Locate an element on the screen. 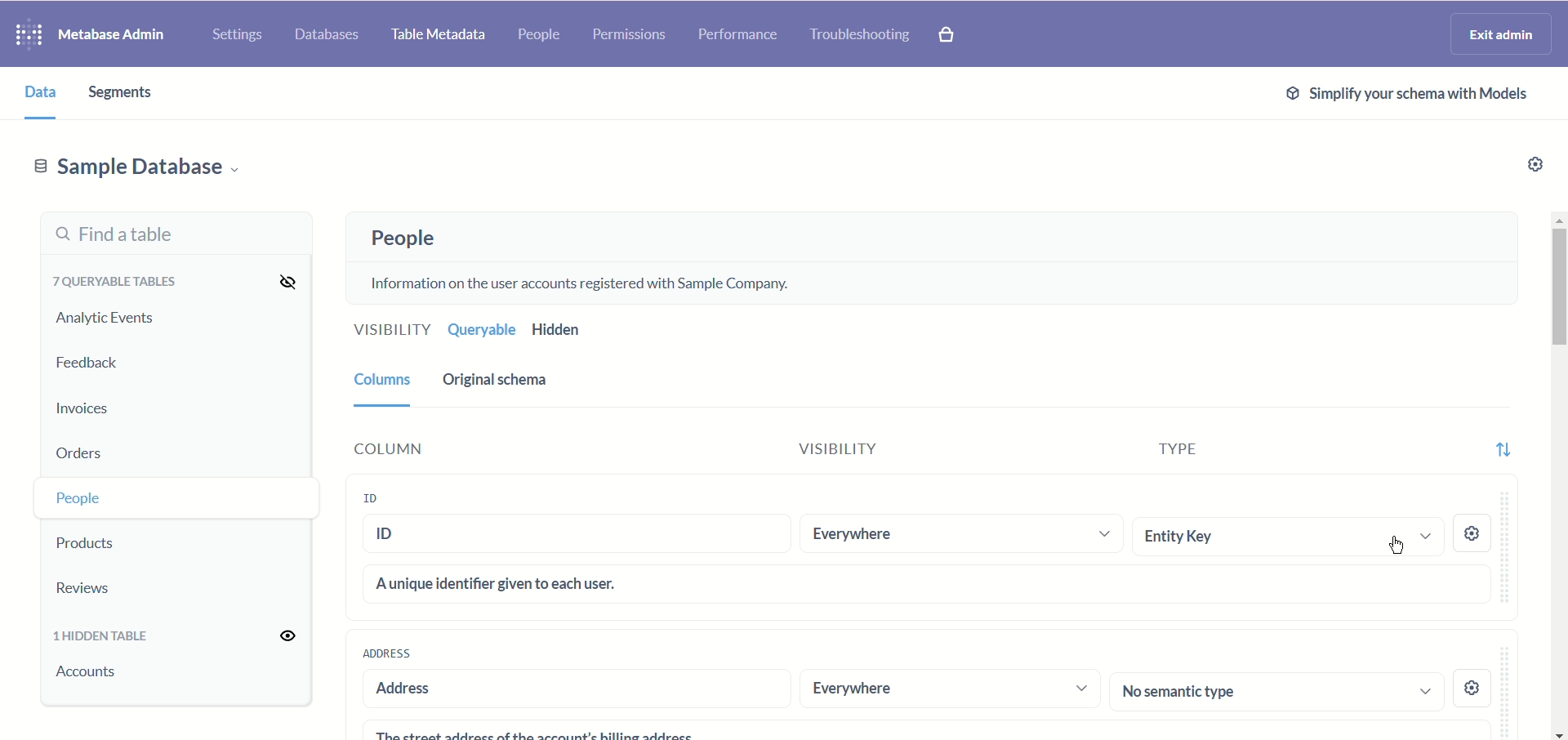 The height and width of the screenshot is (740, 1568). segments is located at coordinates (129, 93).